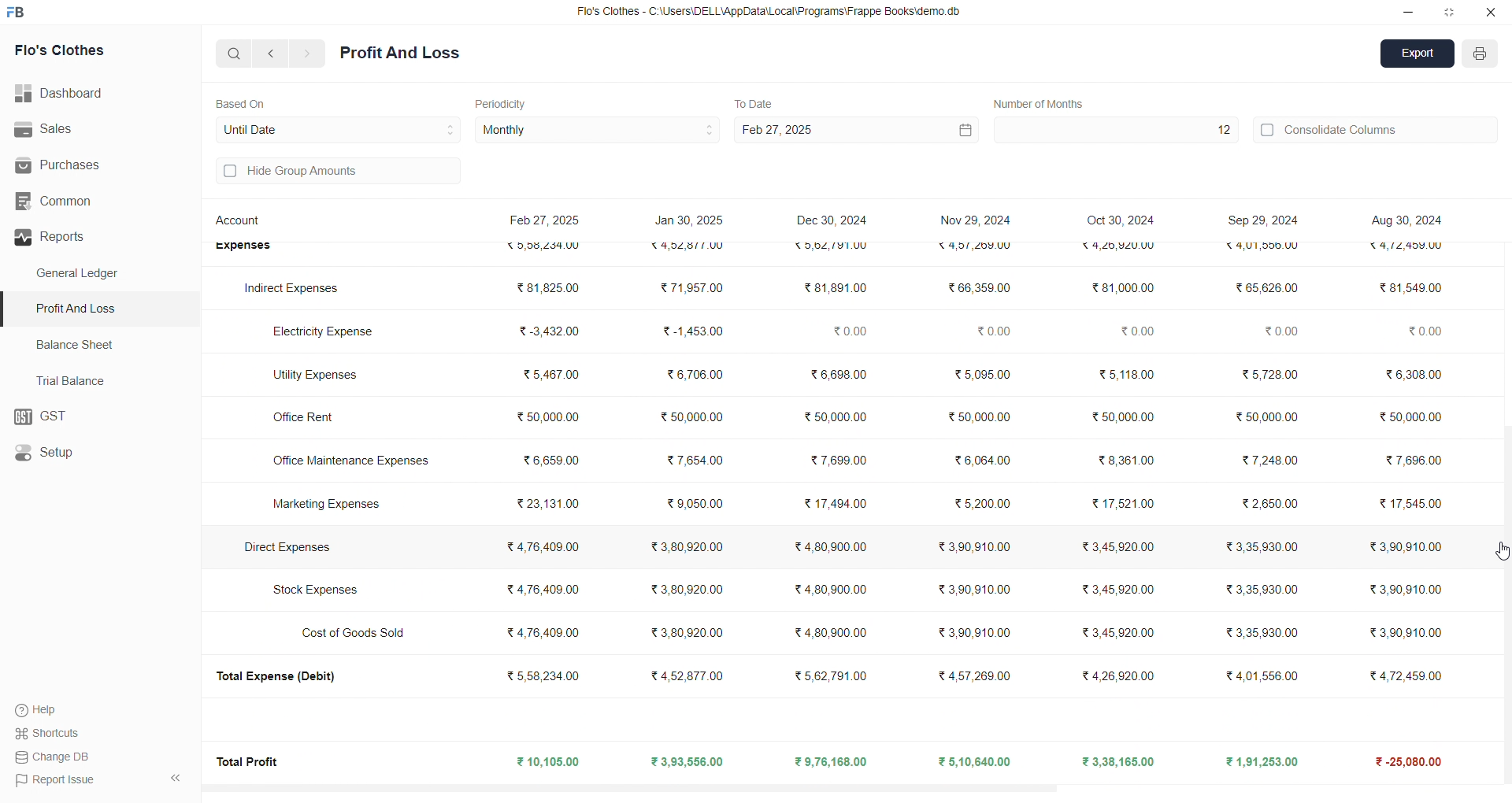  What do you see at coordinates (691, 289) in the screenshot?
I see `₹ 71,957.00` at bounding box center [691, 289].